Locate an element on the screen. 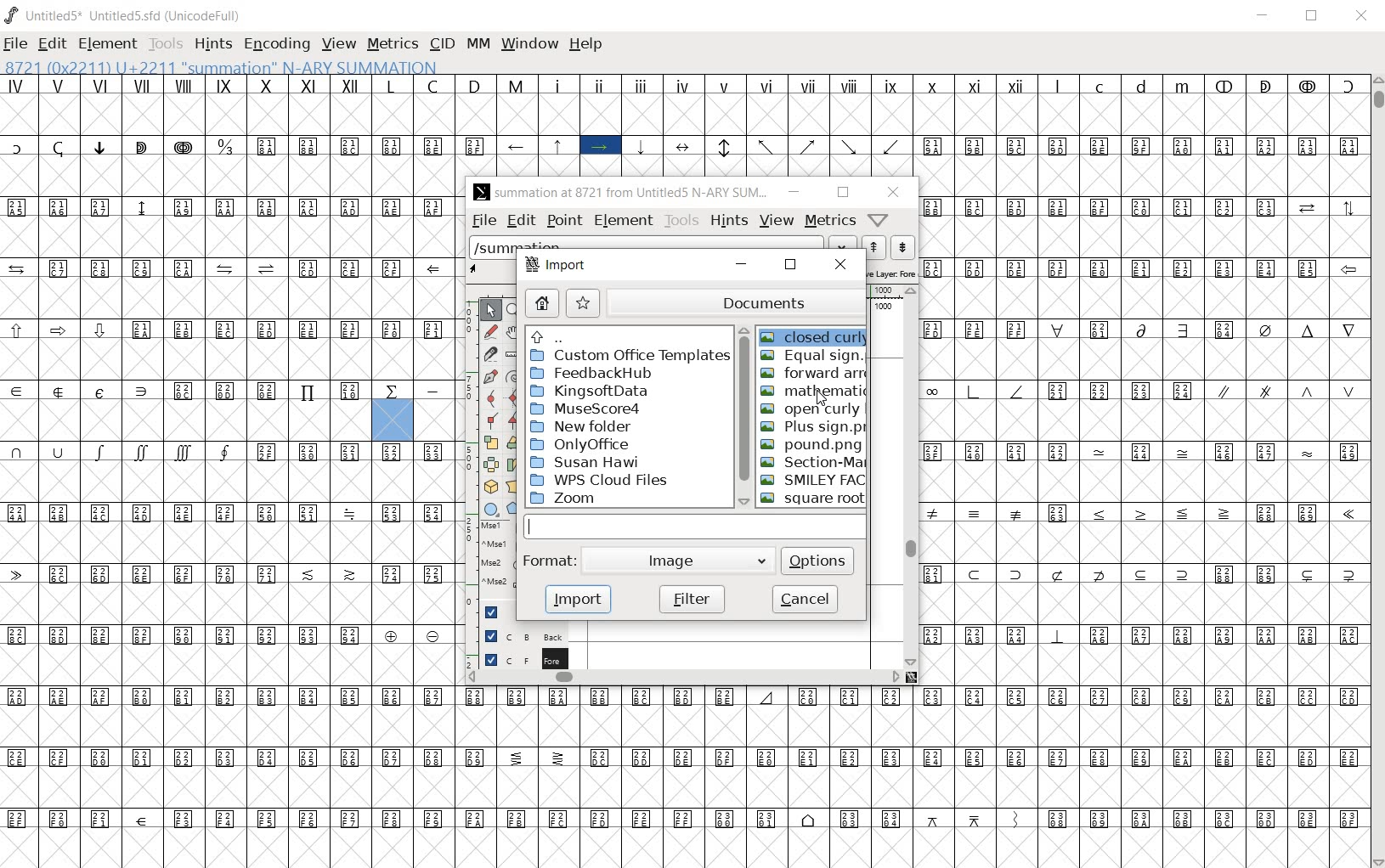  point is located at coordinates (563, 221).